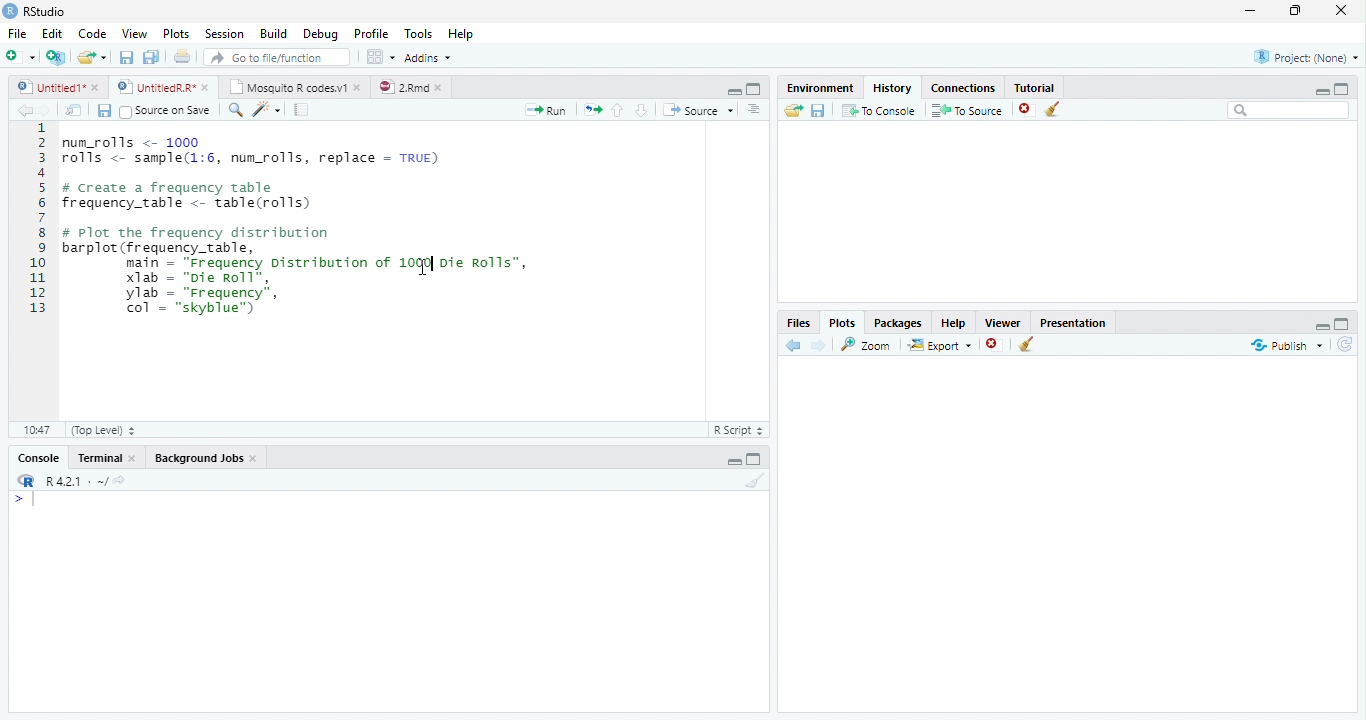 The height and width of the screenshot is (720, 1366). Describe the element at coordinates (878, 109) in the screenshot. I see `T0 Console` at that location.